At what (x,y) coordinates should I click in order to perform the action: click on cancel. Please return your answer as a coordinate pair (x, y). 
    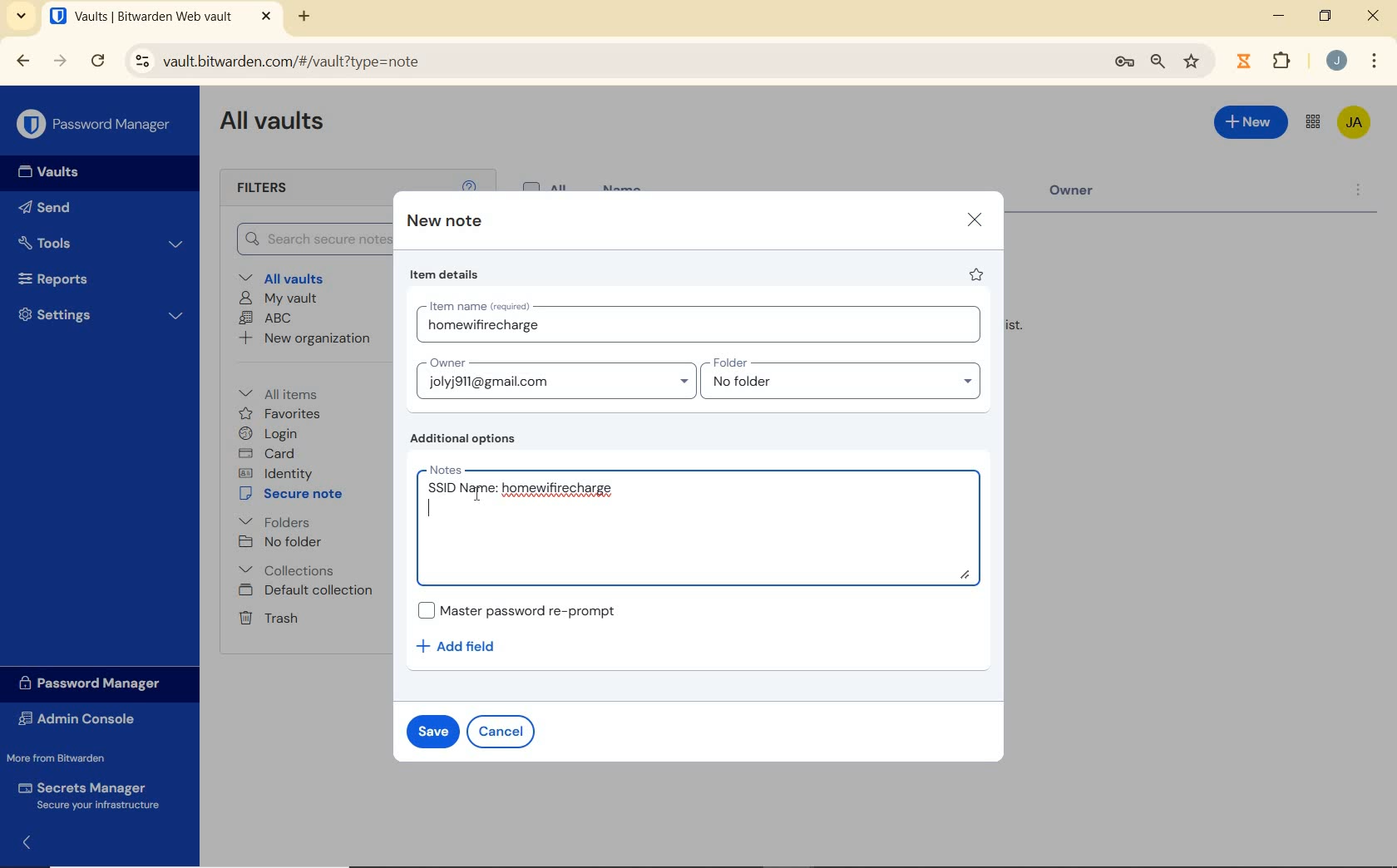
    Looking at the image, I should click on (501, 732).